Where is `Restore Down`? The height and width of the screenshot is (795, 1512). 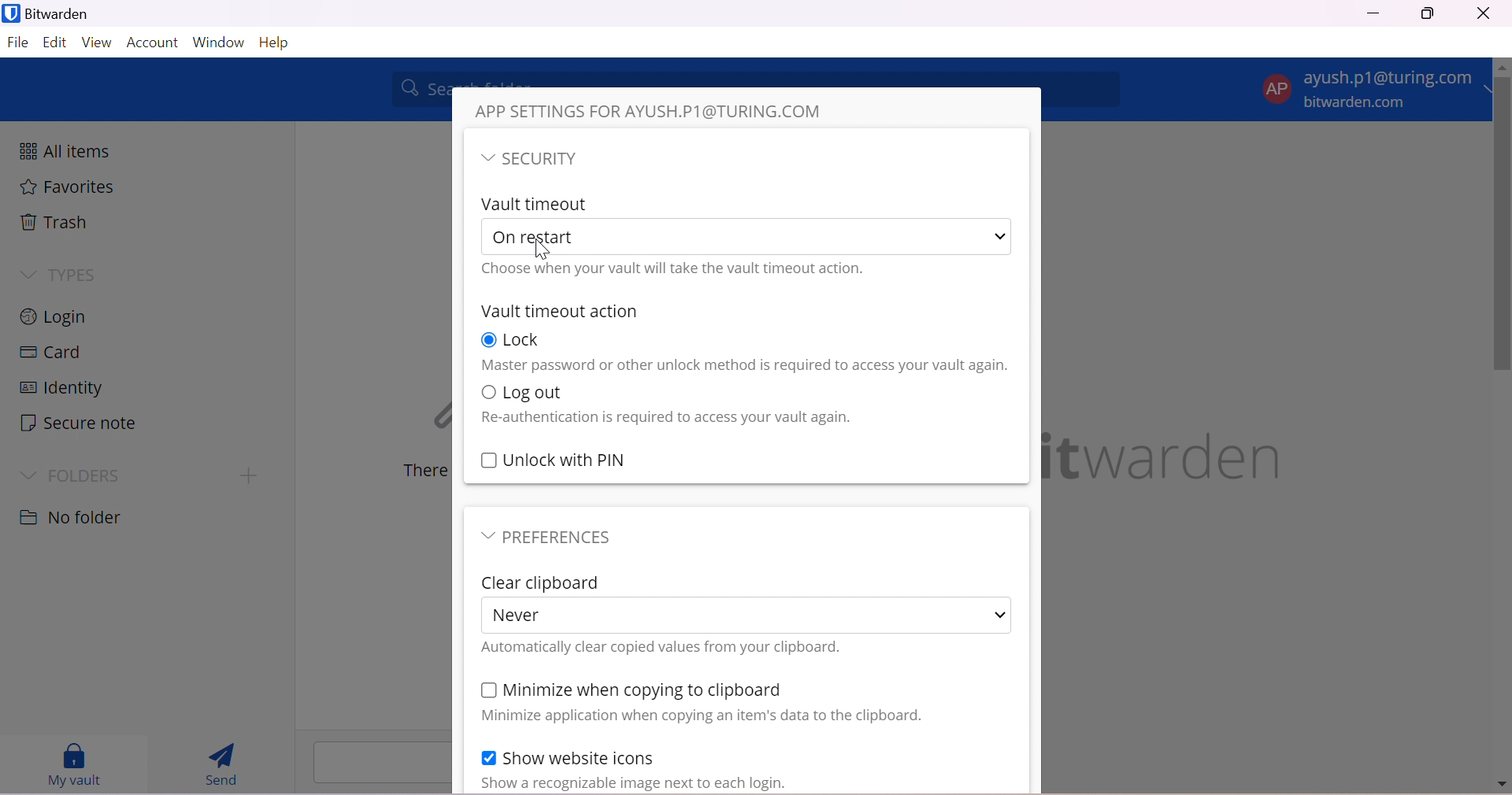 Restore Down is located at coordinates (1429, 15).